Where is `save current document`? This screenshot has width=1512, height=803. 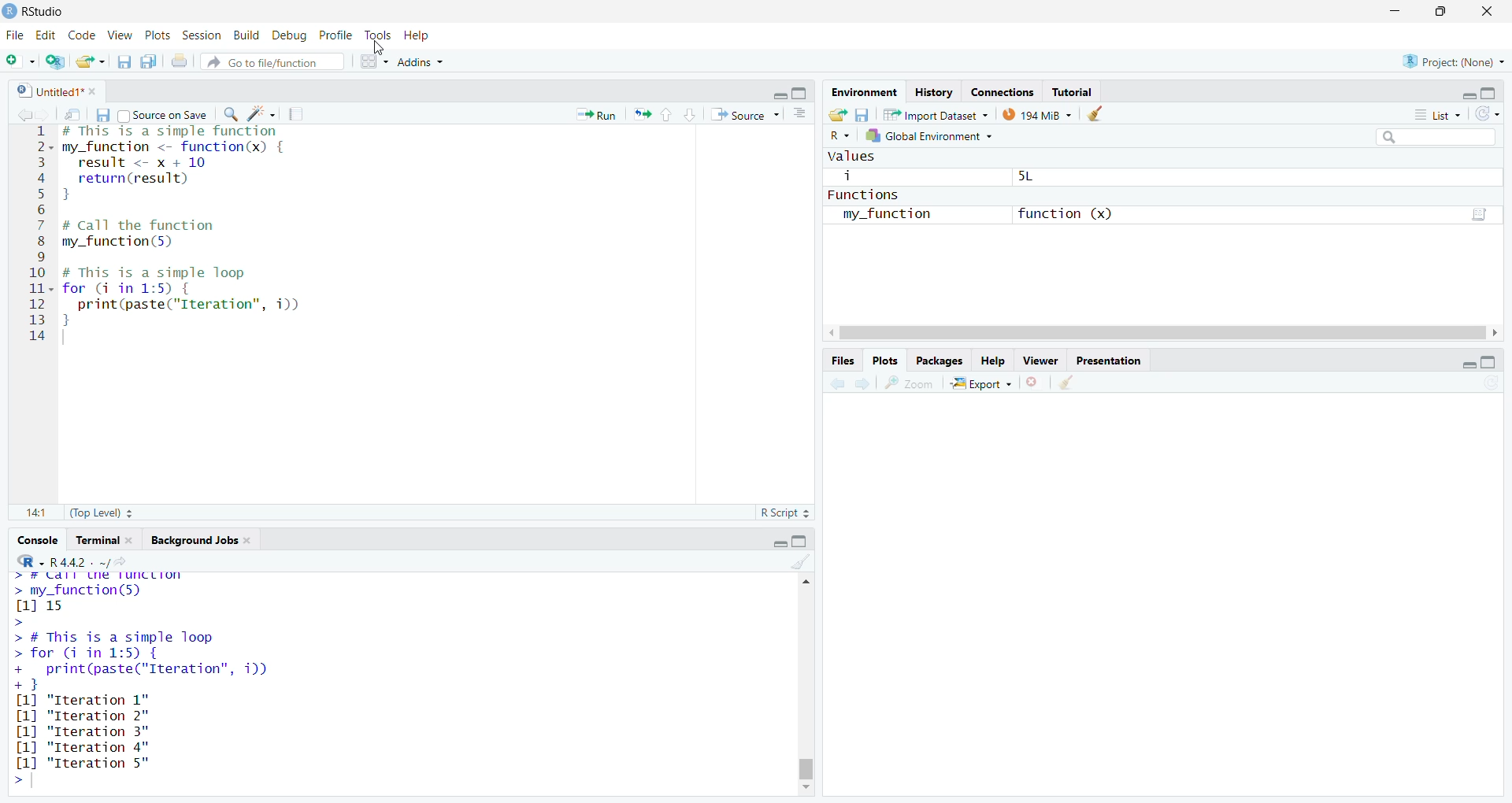 save current document is located at coordinates (124, 61).